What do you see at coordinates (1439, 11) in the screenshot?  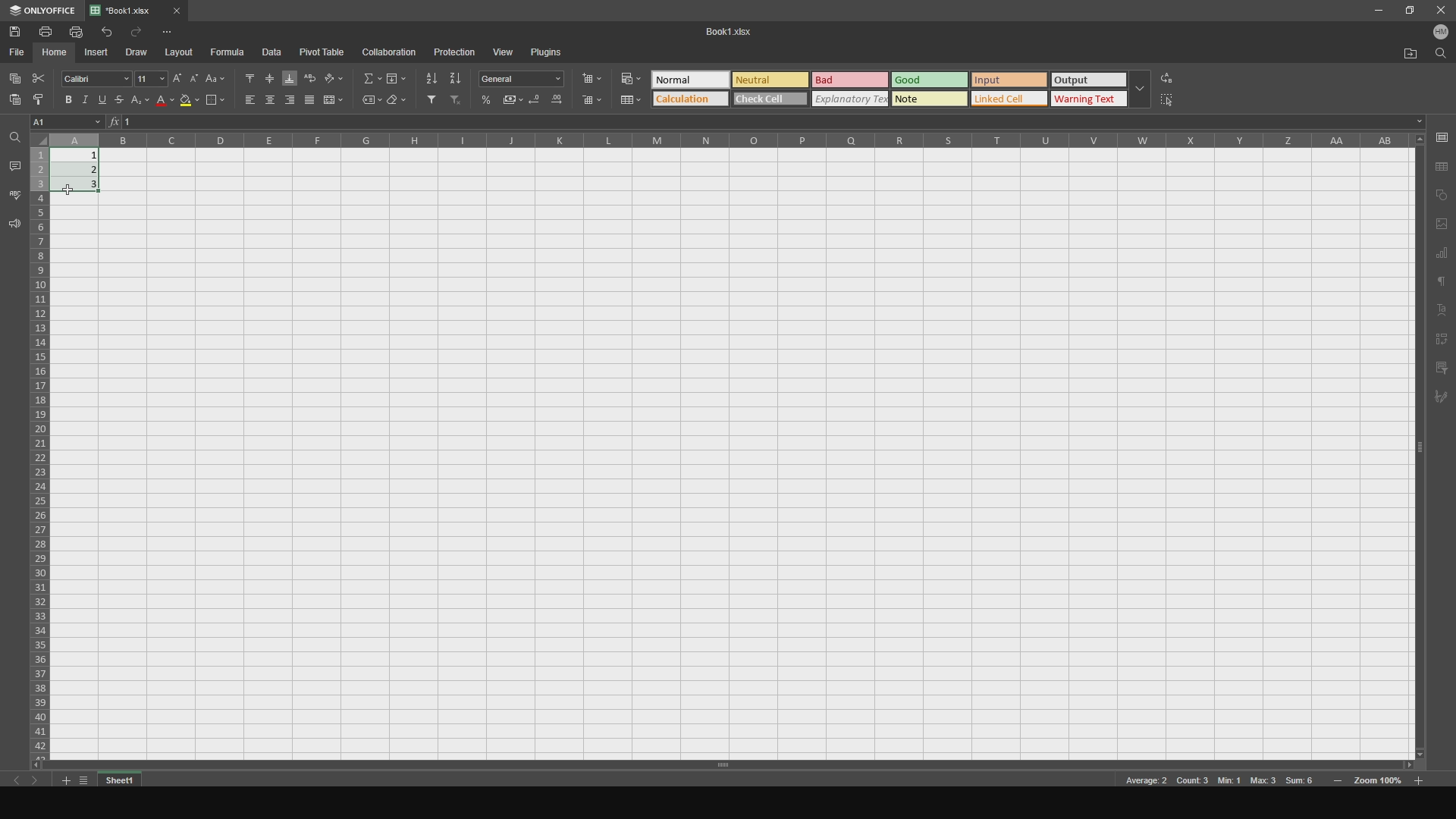 I see `close` at bounding box center [1439, 11].